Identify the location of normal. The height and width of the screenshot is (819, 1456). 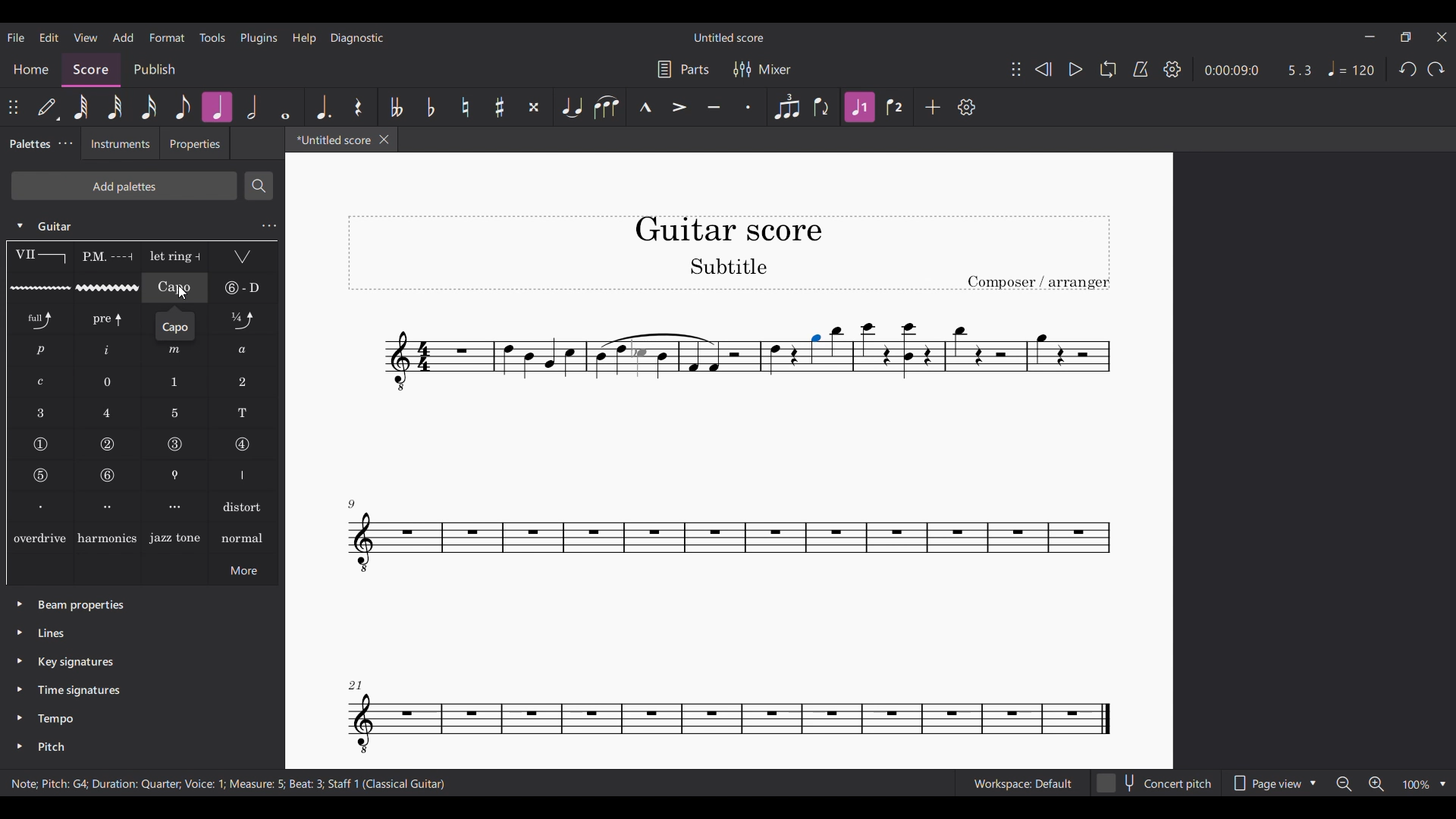
(243, 537).